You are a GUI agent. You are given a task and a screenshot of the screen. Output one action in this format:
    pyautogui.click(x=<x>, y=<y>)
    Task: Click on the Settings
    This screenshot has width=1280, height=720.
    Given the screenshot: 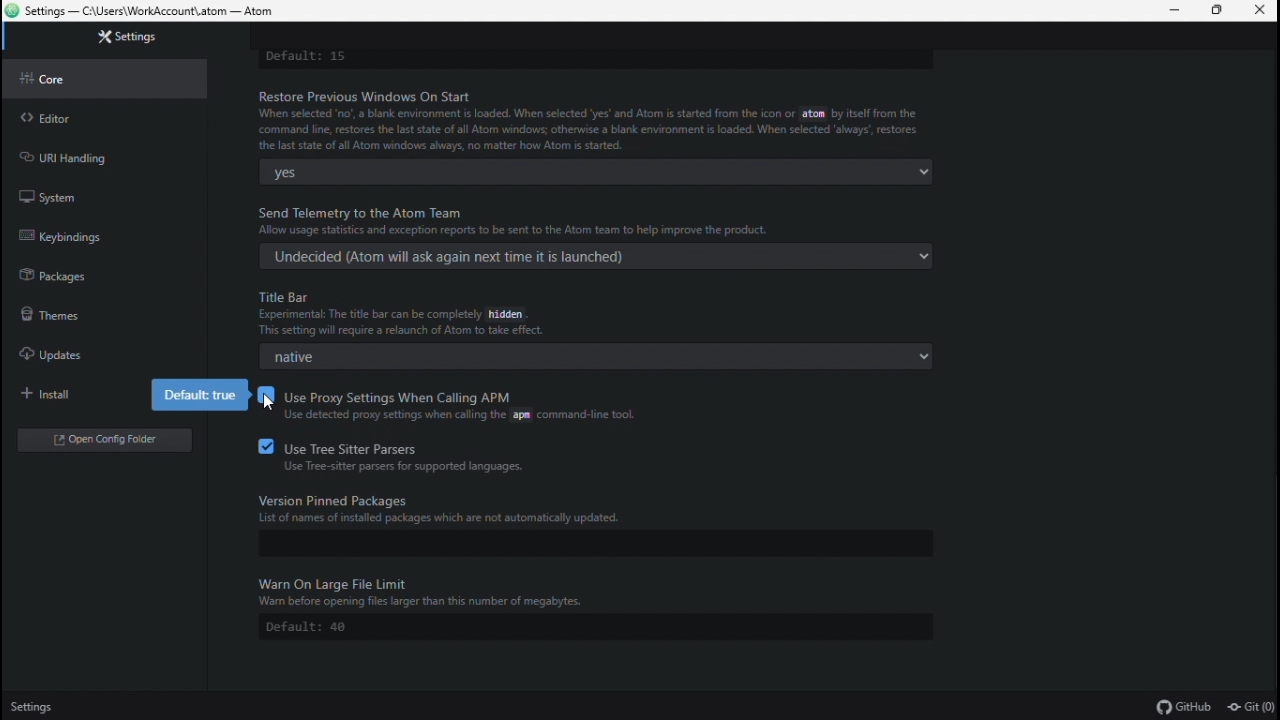 What is the action you would take?
    pyautogui.click(x=117, y=38)
    